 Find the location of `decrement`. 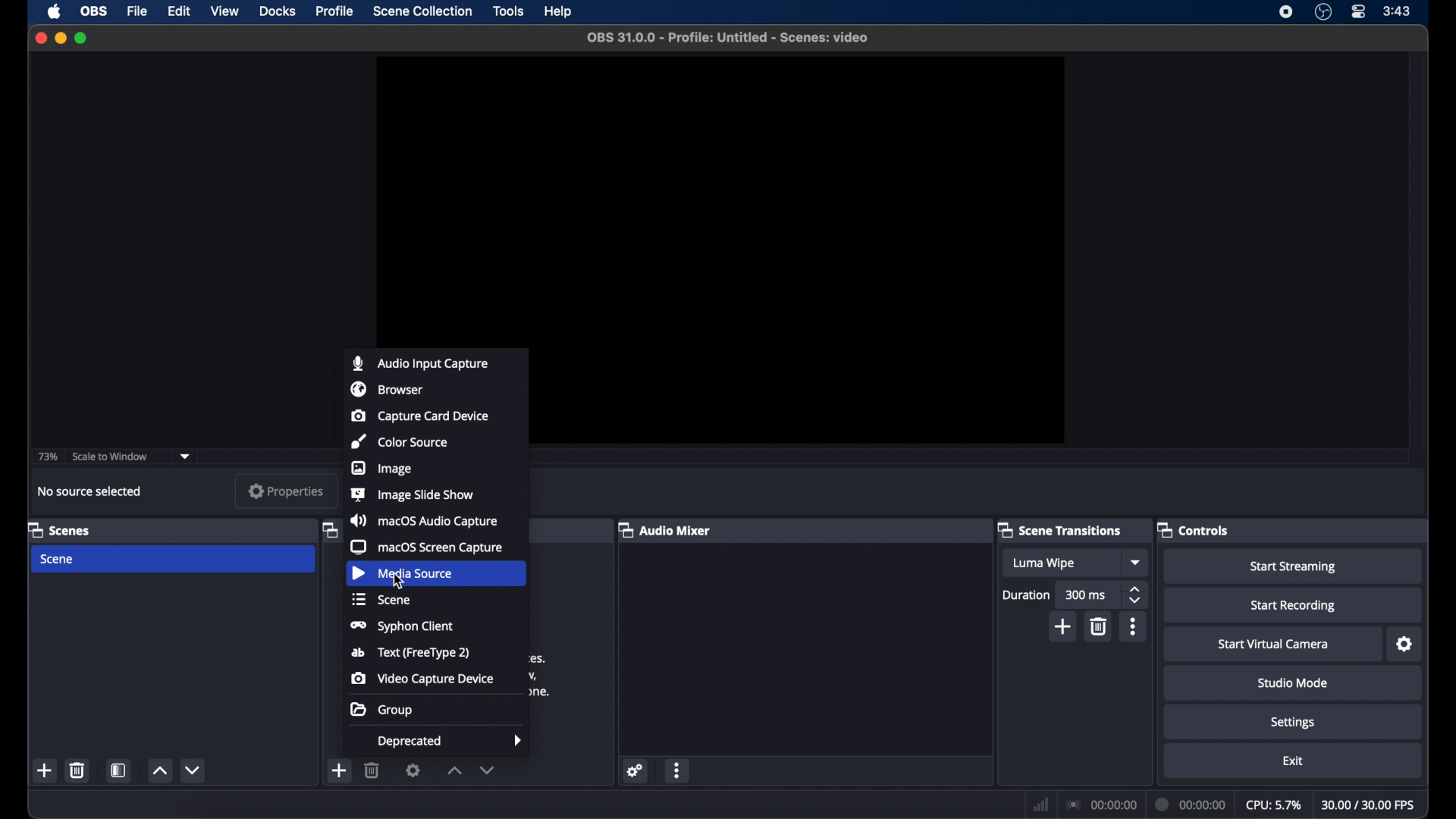

decrement is located at coordinates (487, 770).